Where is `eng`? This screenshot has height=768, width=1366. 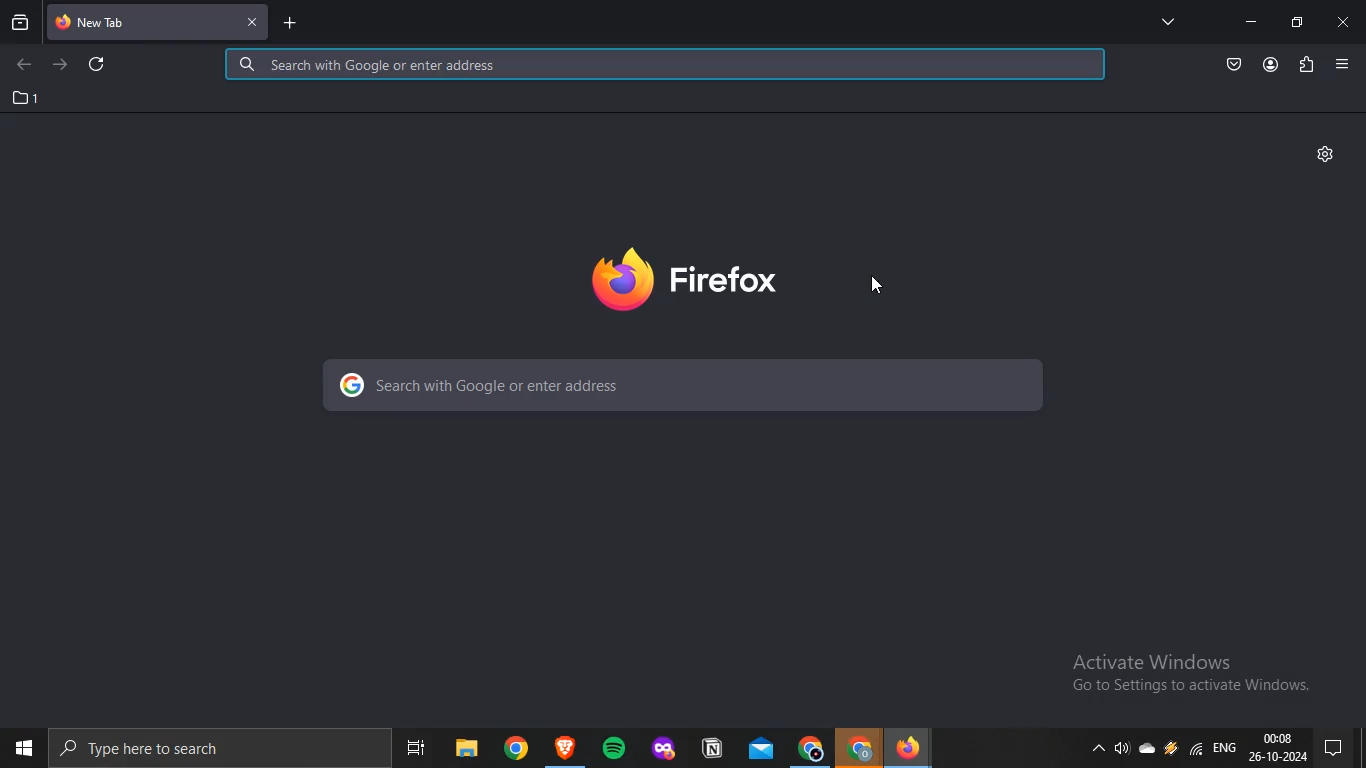
eng is located at coordinates (1228, 753).